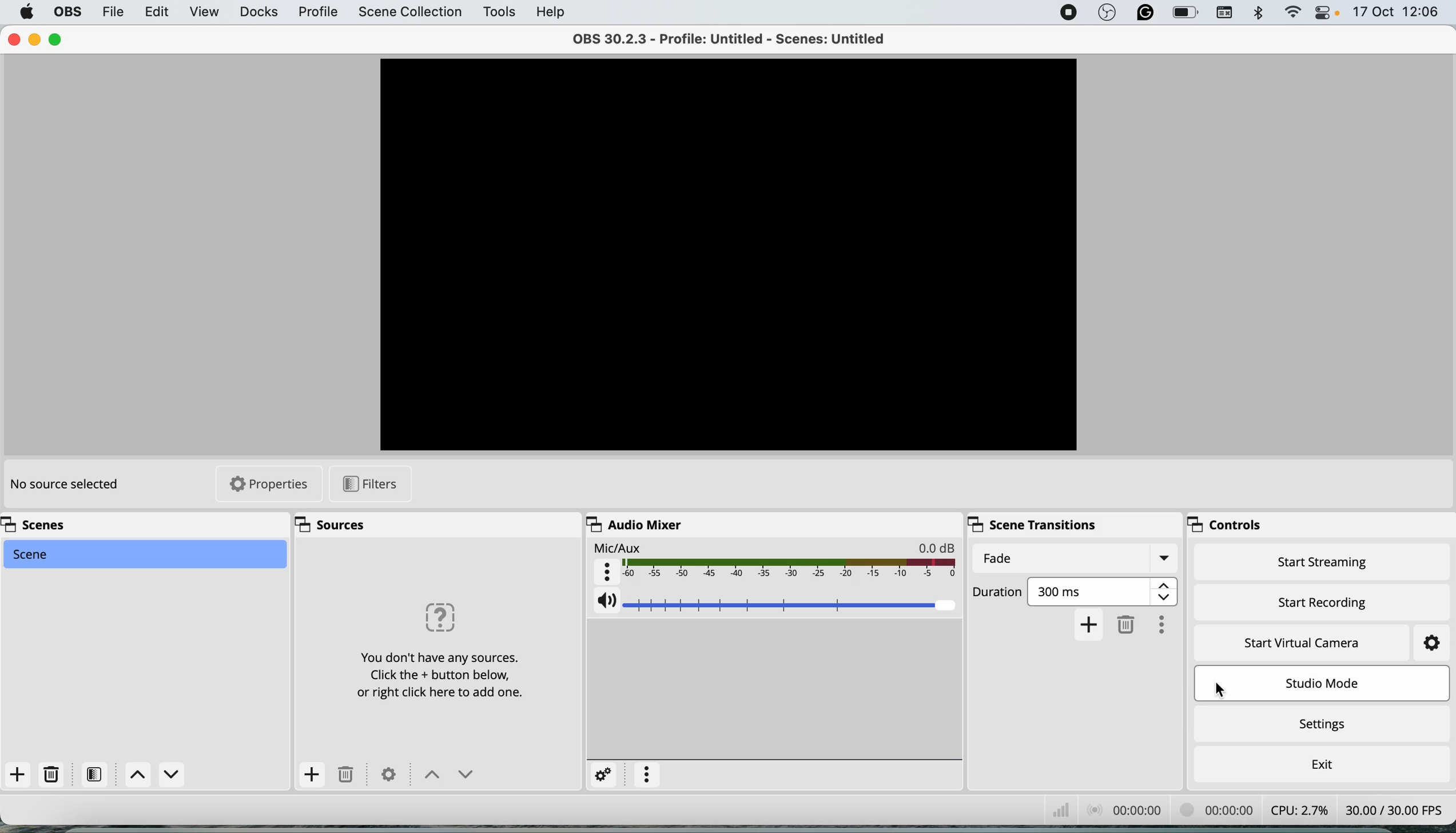 This screenshot has height=833, width=1456. I want to click on start recording, so click(1320, 601).